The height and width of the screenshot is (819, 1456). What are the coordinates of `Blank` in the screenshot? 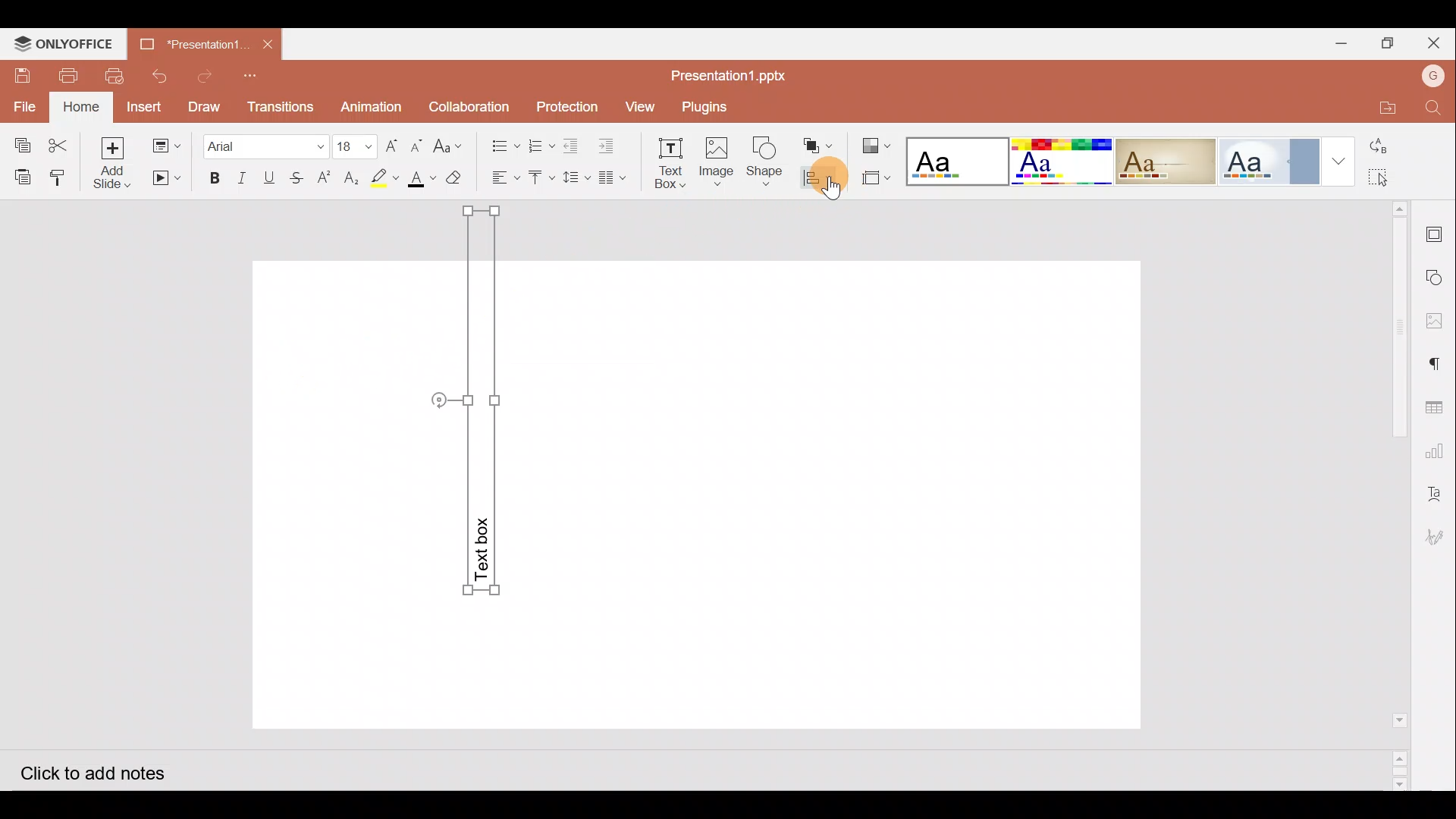 It's located at (954, 159).